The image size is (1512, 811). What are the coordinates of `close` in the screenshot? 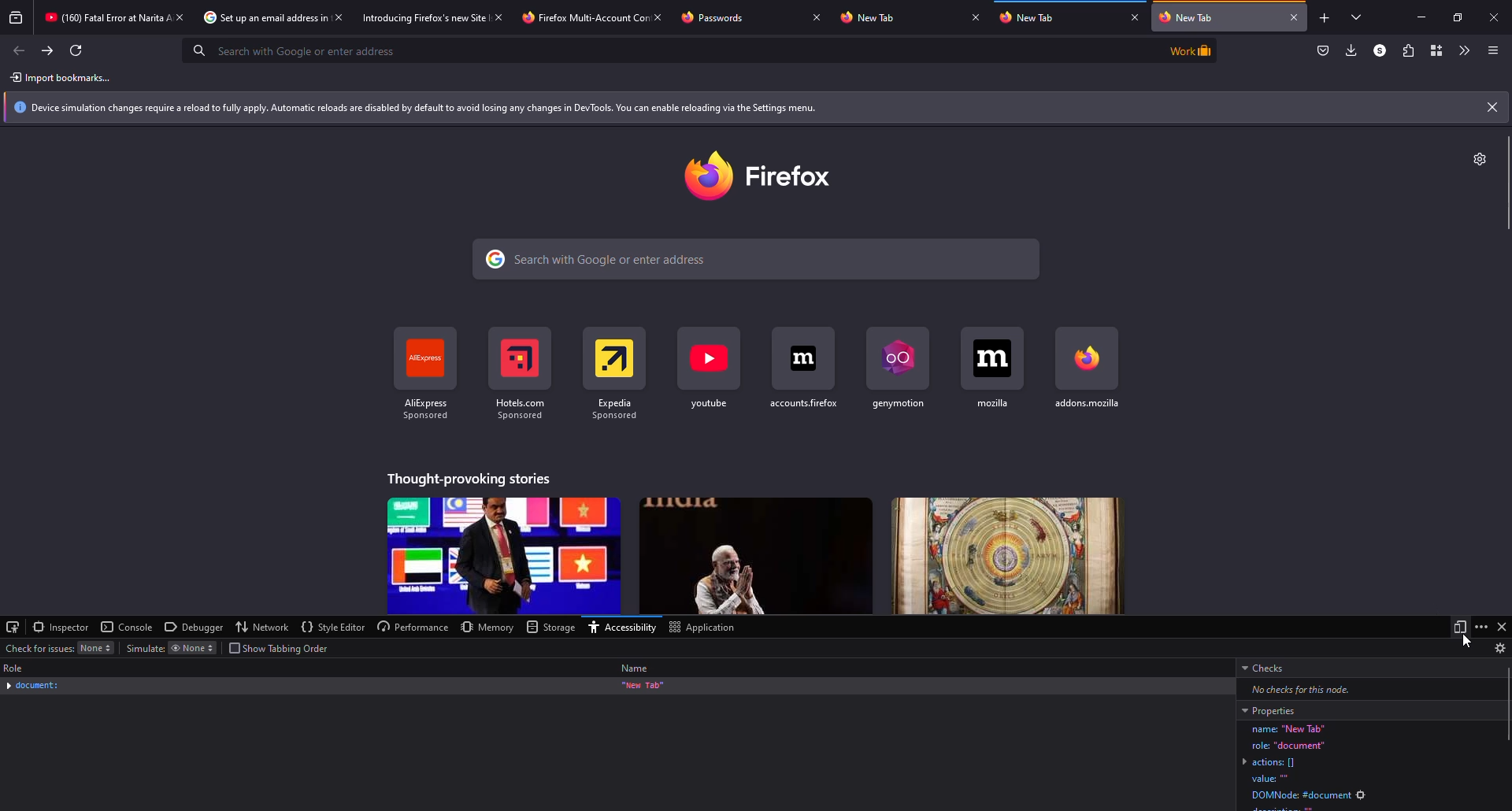 It's located at (497, 17).